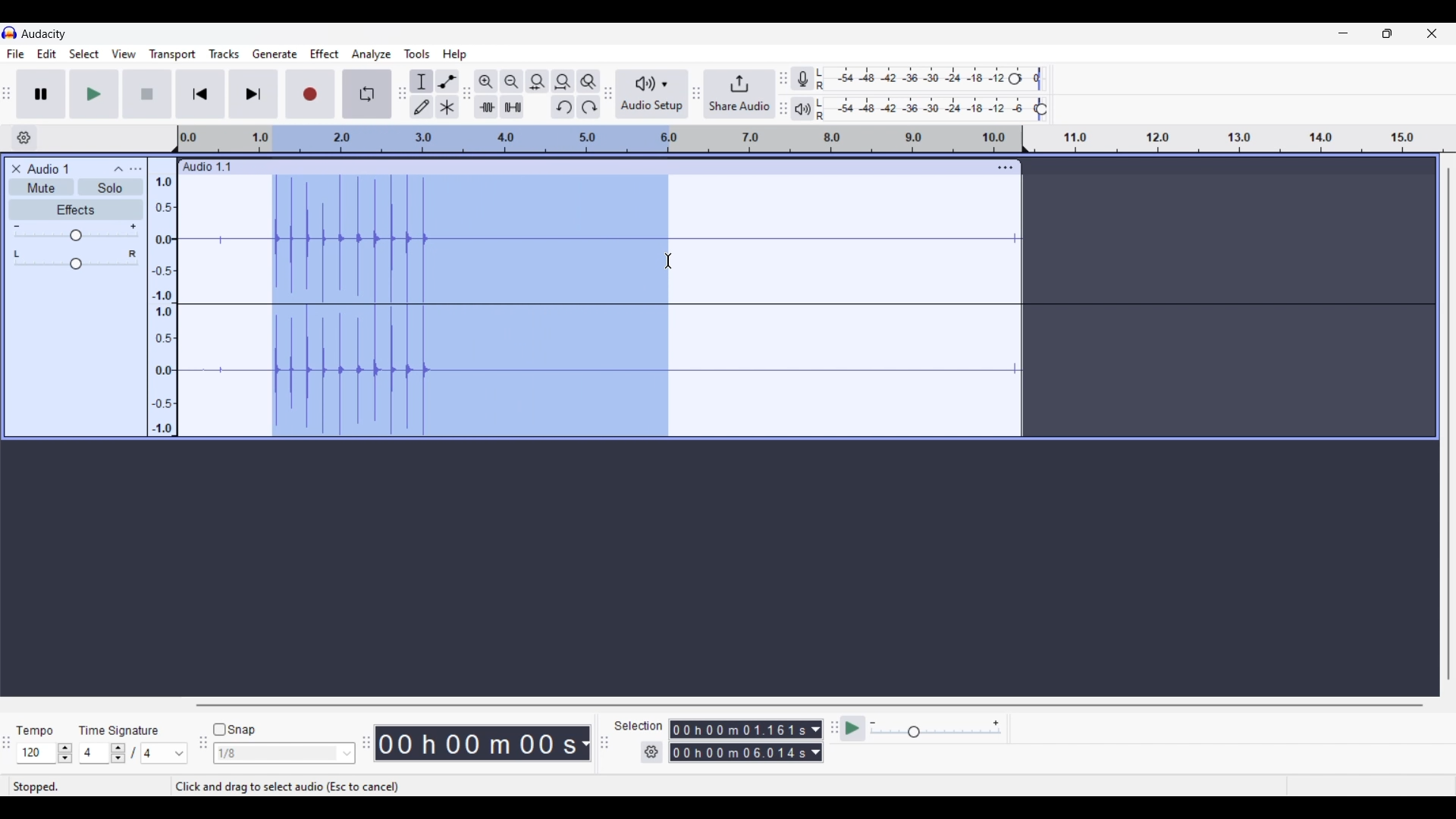 The width and height of the screenshot is (1456, 819). Describe the element at coordinates (996, 723) in the screenshot. I see `Maximum playback speed` at that location.